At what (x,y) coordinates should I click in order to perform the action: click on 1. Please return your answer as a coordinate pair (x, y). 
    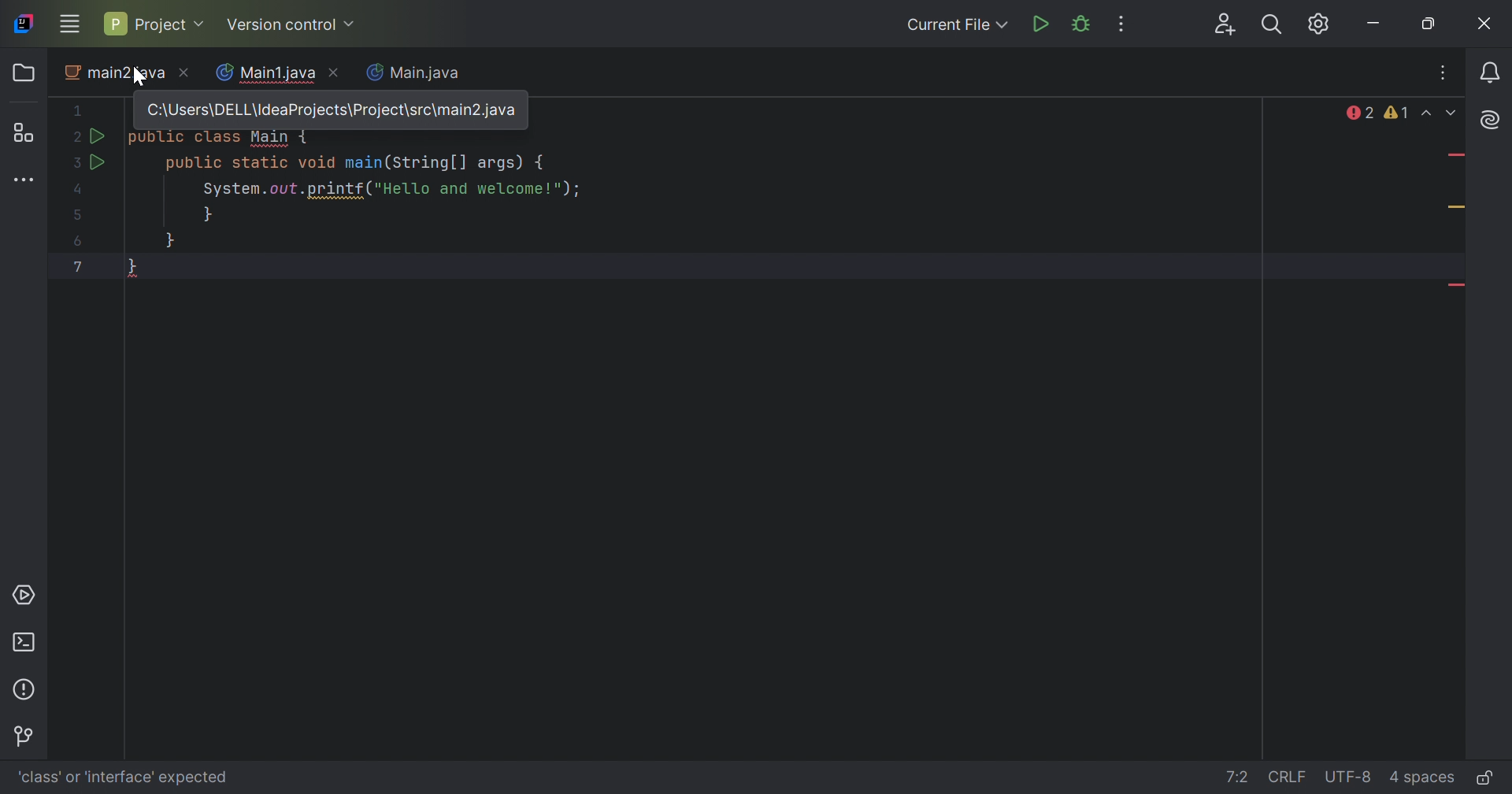
    Looking at the image, I should click on (80, 110).